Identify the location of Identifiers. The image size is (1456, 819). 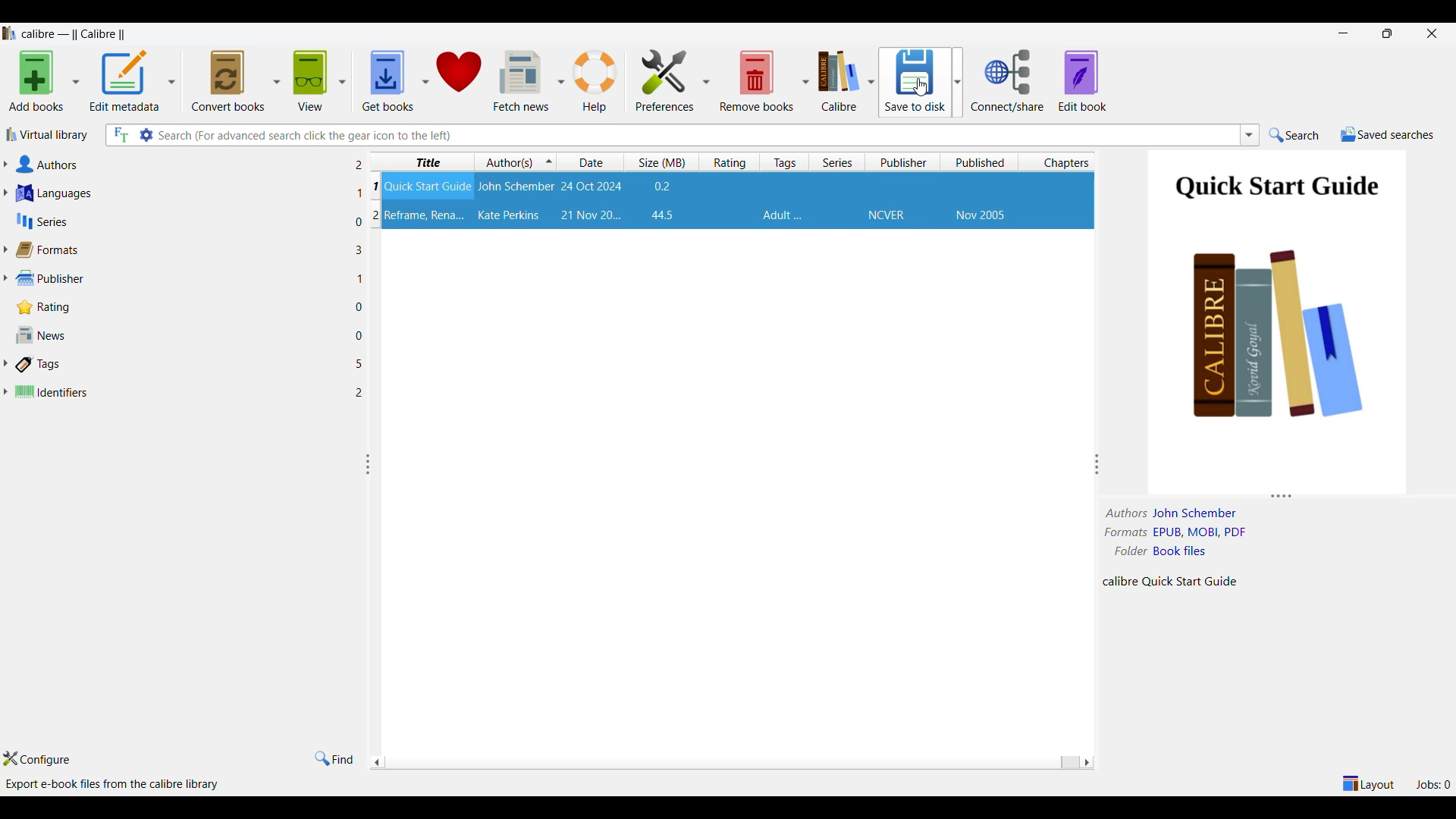
(174, 389).